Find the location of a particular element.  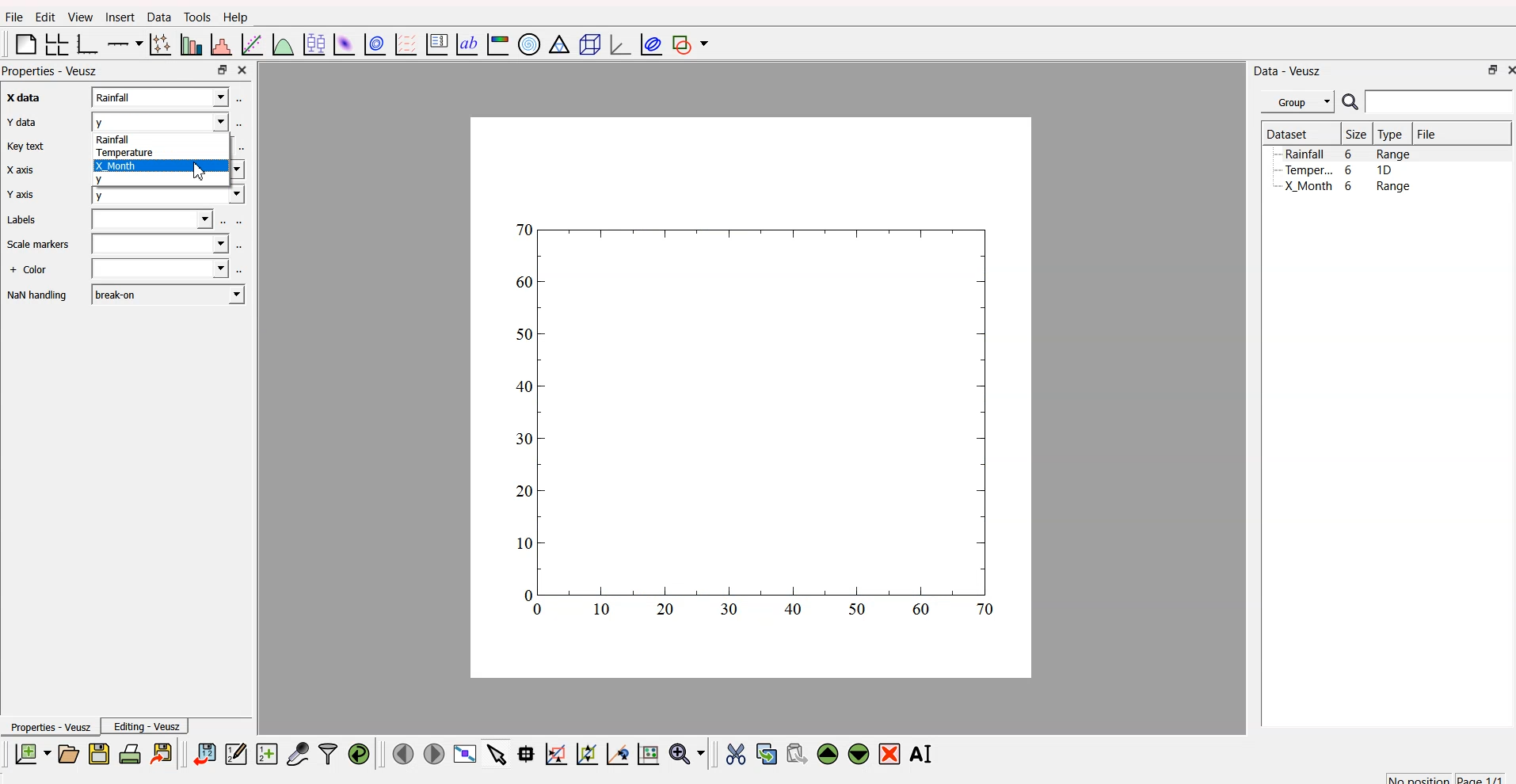

3D scene is located at coordinates (586, 44).